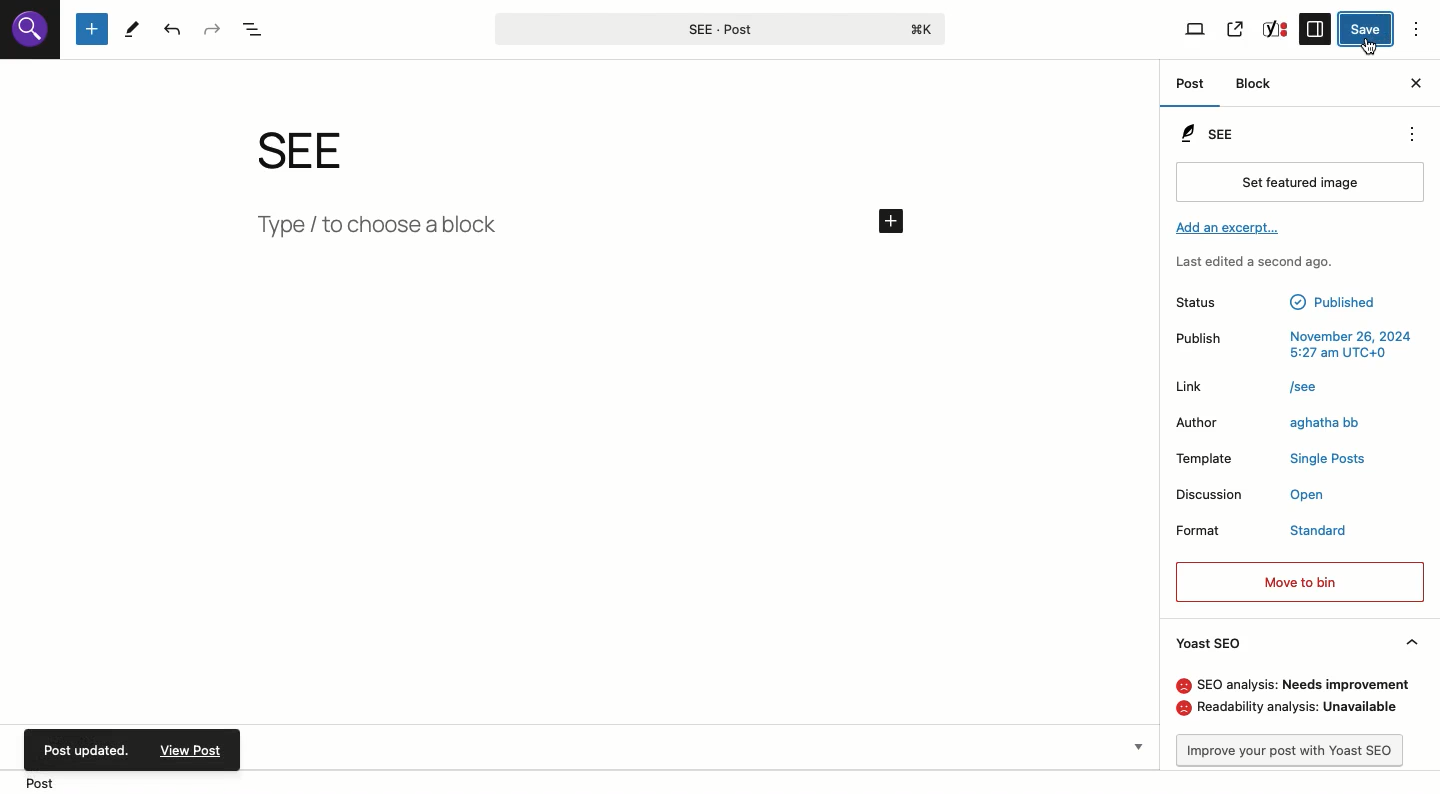  Describe the element at coordinates (584, 230) in the screenshot. I see `type/Add new block` at that location.